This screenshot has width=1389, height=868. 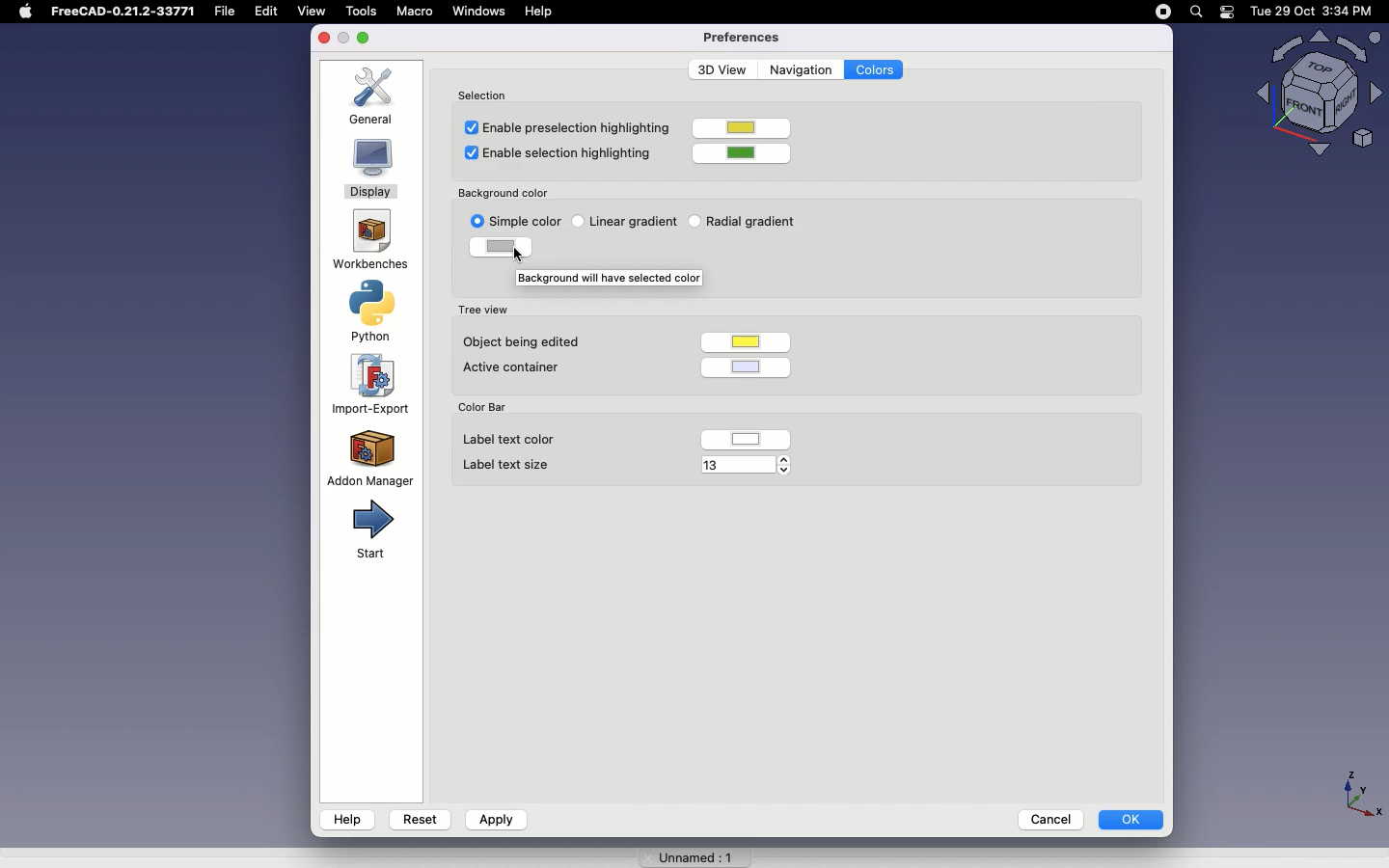 What do you see at coordinates (369, 530) in the screenshot?
I see `Start` at bounding box center [369, 530].